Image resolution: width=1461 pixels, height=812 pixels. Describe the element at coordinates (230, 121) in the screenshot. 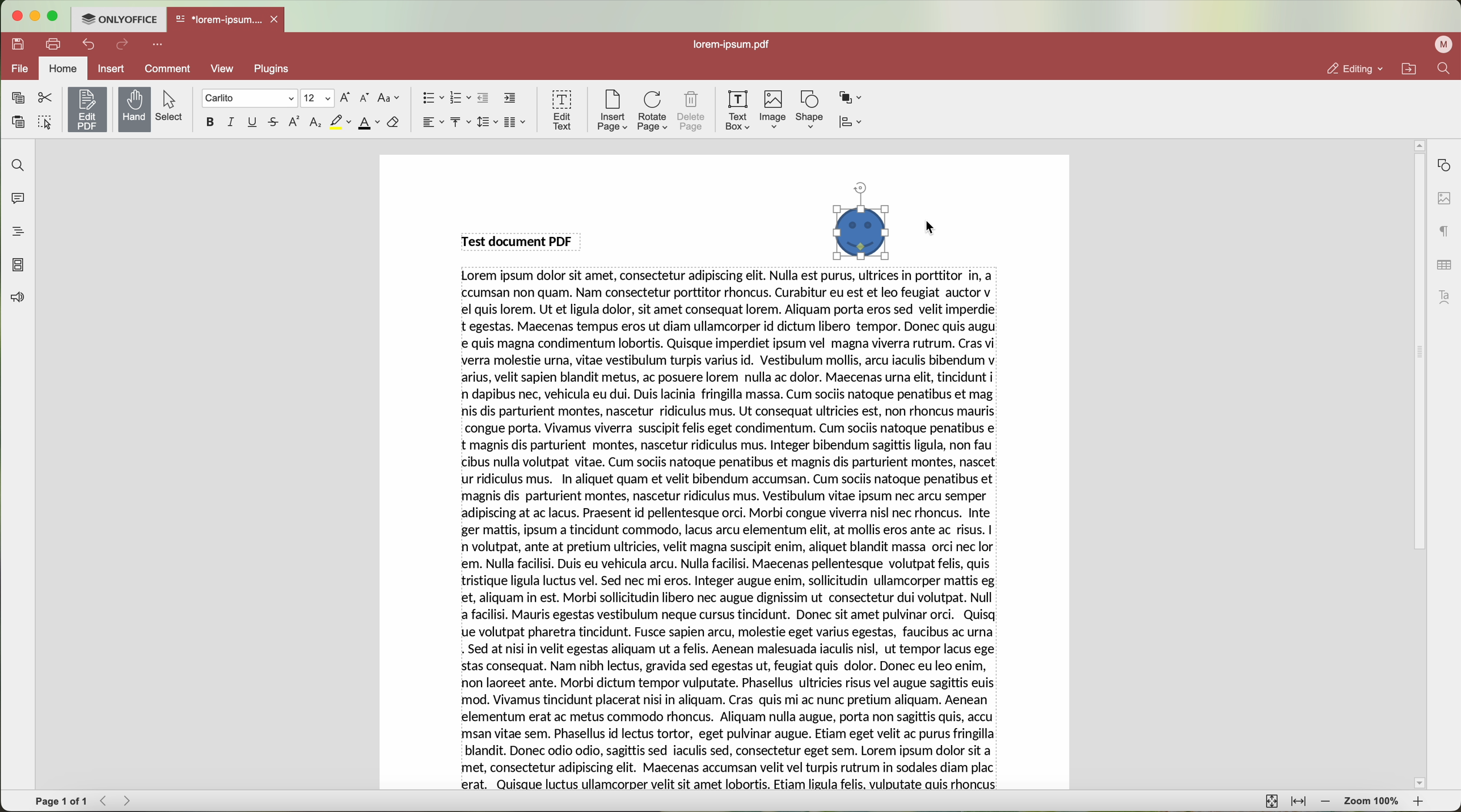

I see `italic` at that location.